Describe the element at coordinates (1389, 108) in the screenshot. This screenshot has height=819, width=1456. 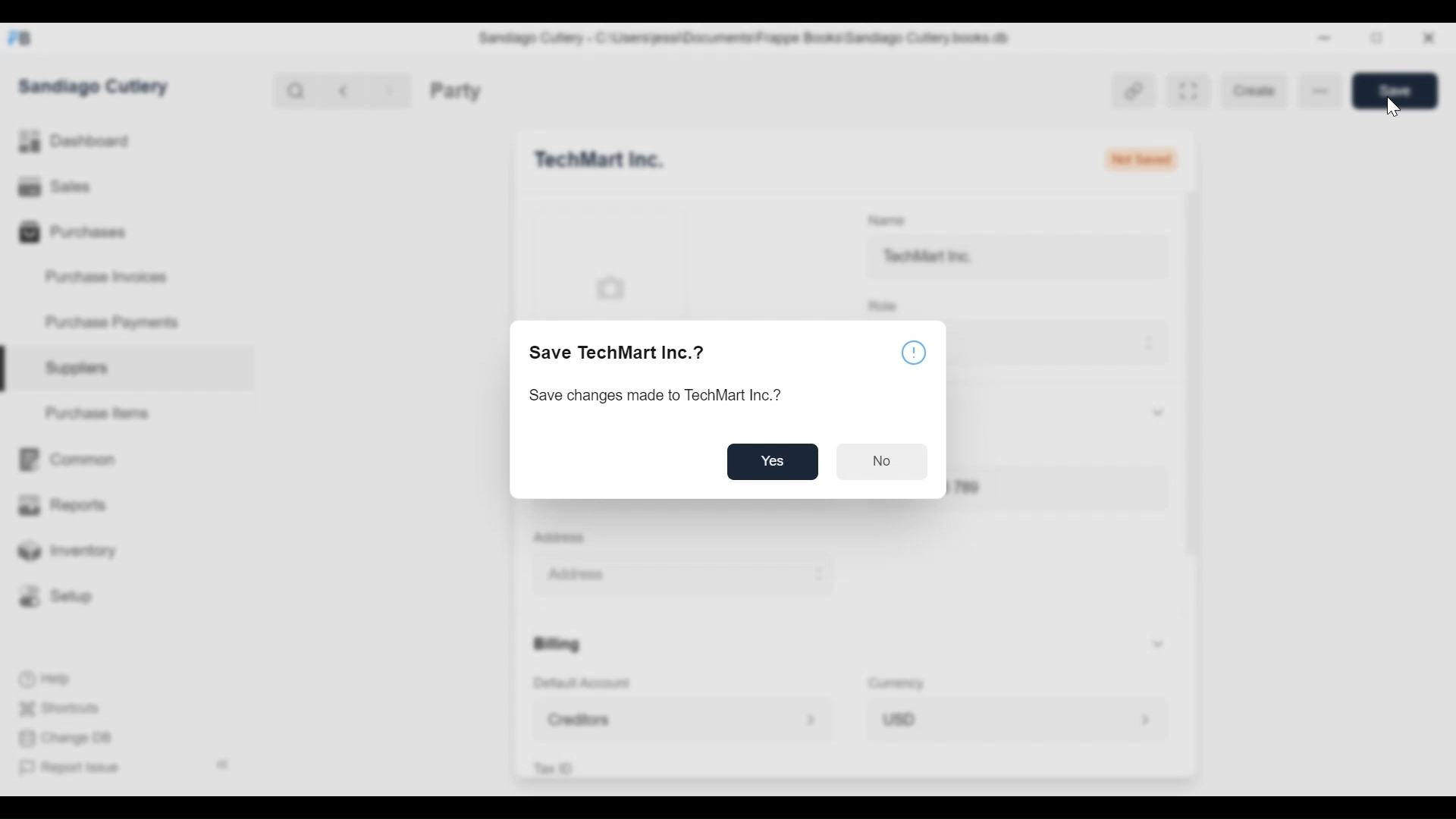
I see `cursor` at that location.